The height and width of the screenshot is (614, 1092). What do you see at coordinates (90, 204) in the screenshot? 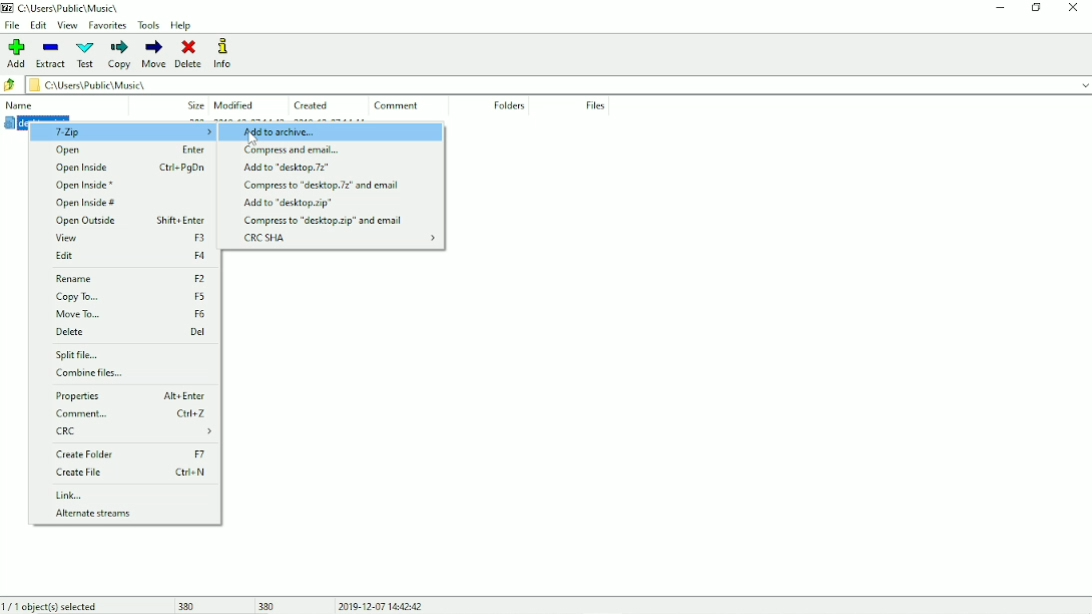
I see `Open Inside #` at bounding box center [90, 204].